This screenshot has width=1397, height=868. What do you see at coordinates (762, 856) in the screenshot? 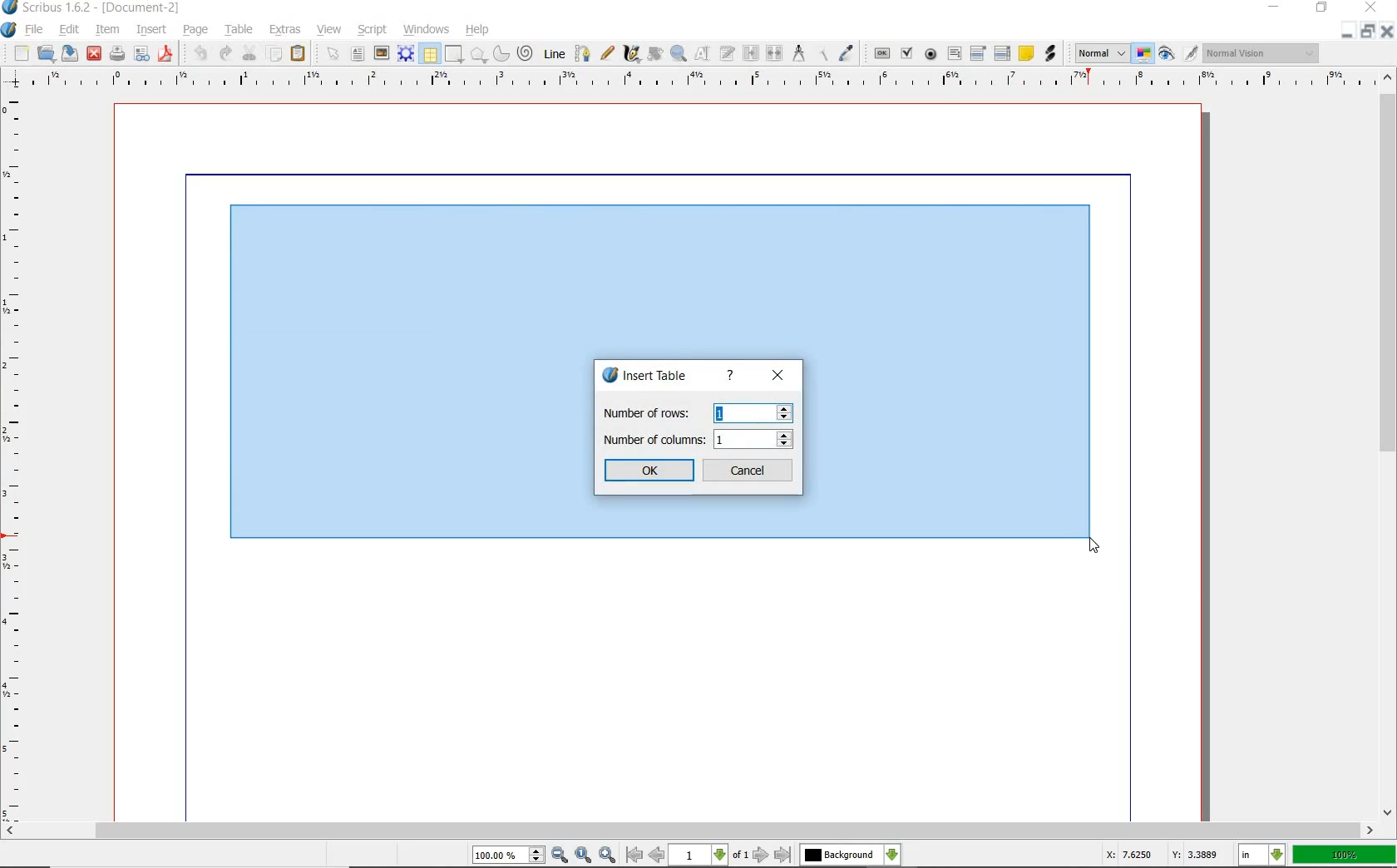
I see `go to next page` at bounding box center [762, 856].